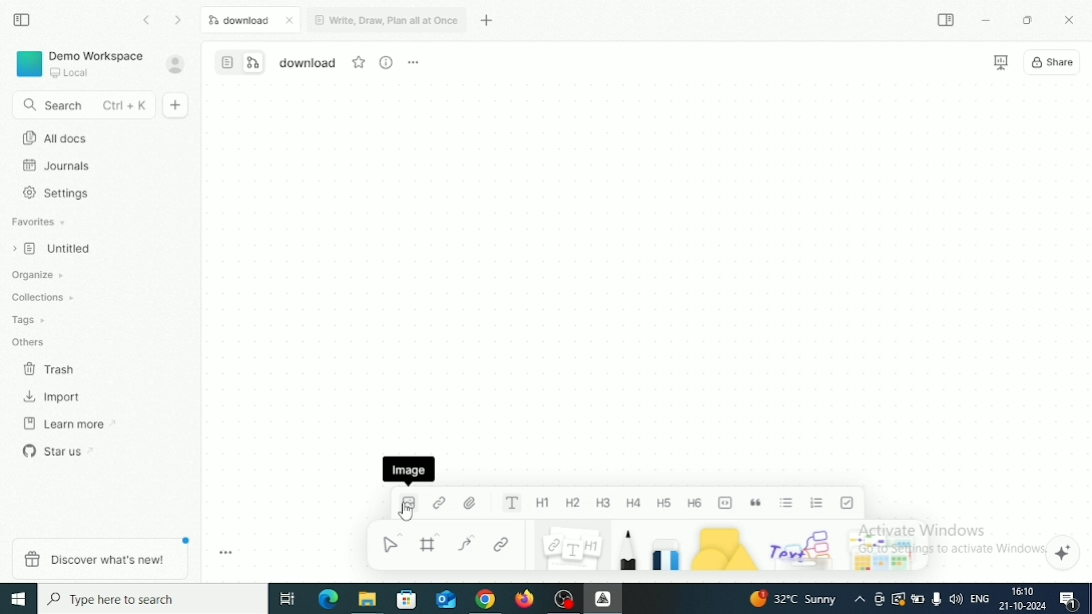 This screenshot has width=1092, height=614. Describe the element at coordinates (53, 139) in the screenshot. I see `All docs` at that location.